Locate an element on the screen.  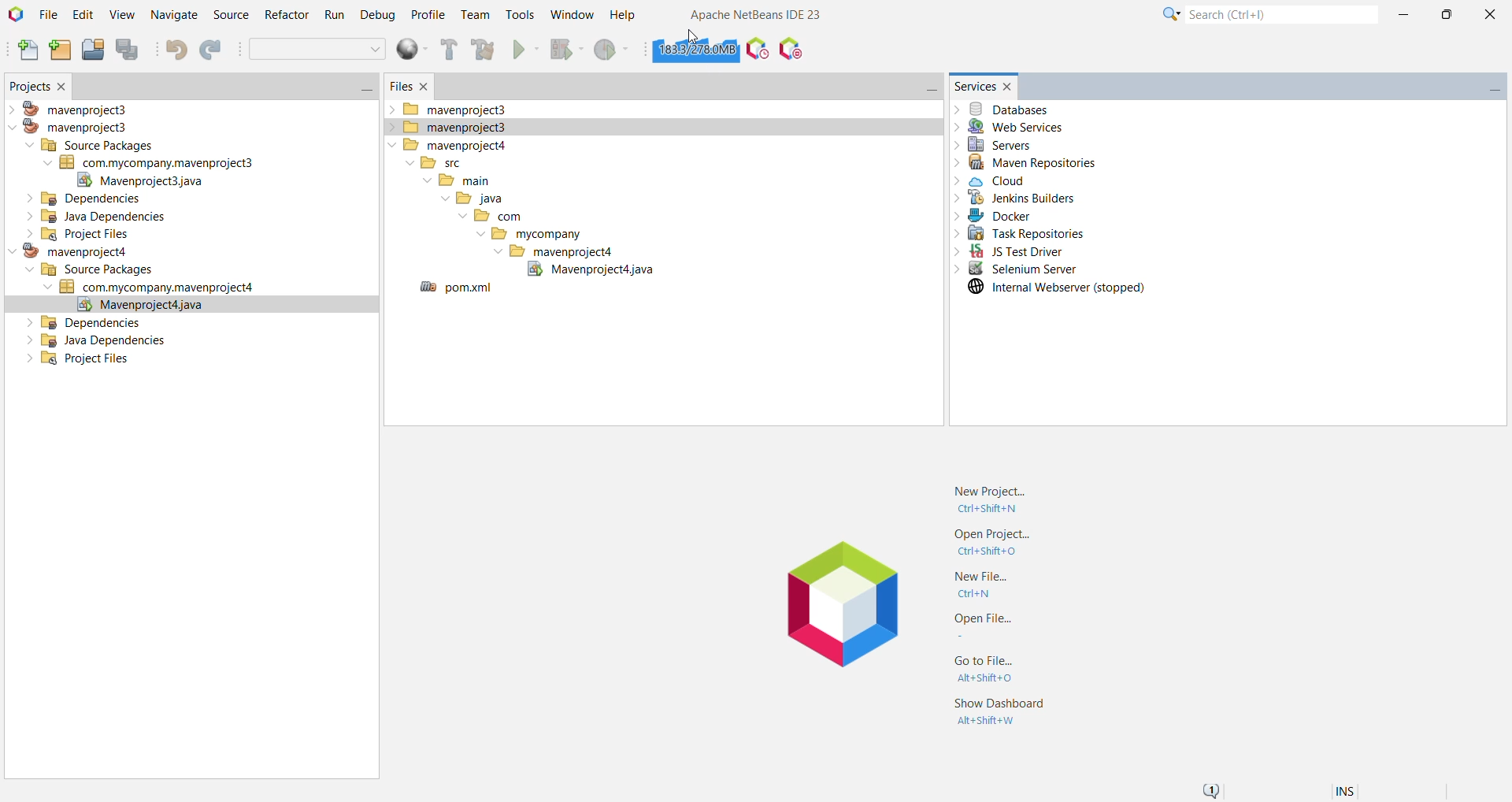
Application Name and Version is located at coordinates (749, 13).